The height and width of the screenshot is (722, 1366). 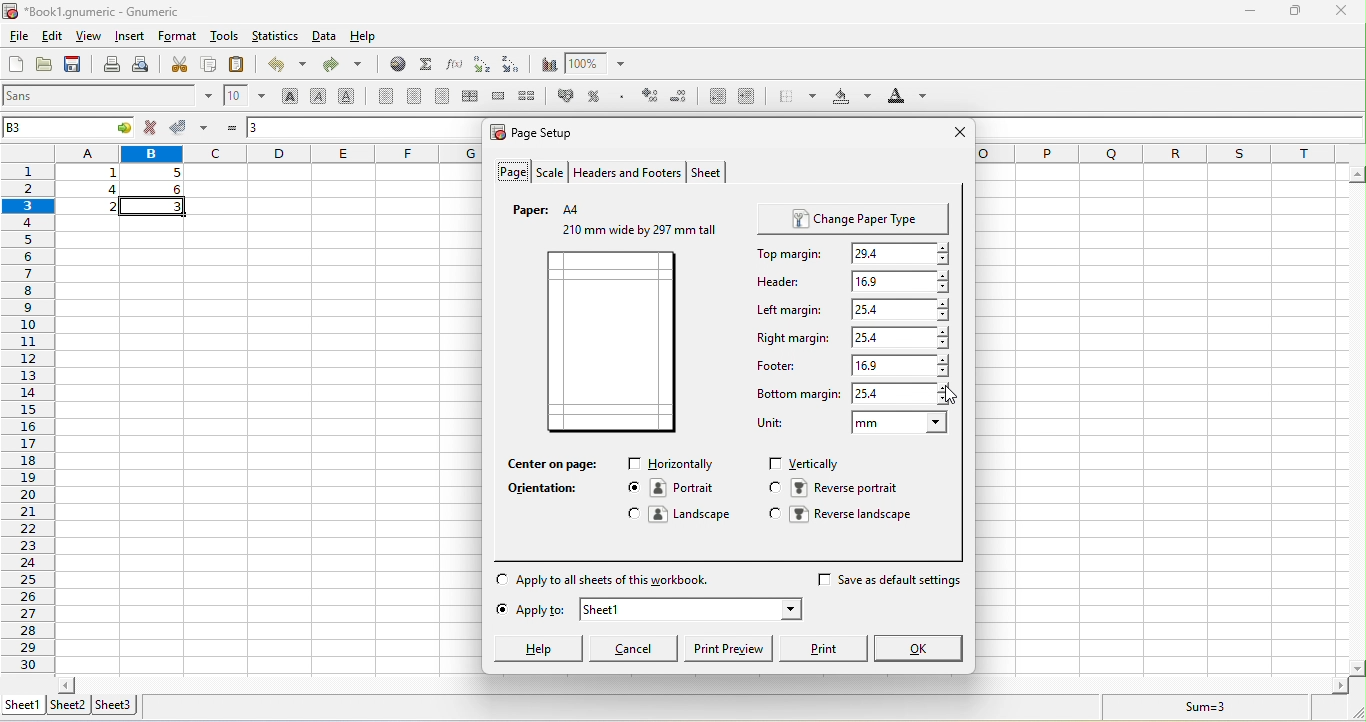 I want to click on redo, so click(x=345, y=67).